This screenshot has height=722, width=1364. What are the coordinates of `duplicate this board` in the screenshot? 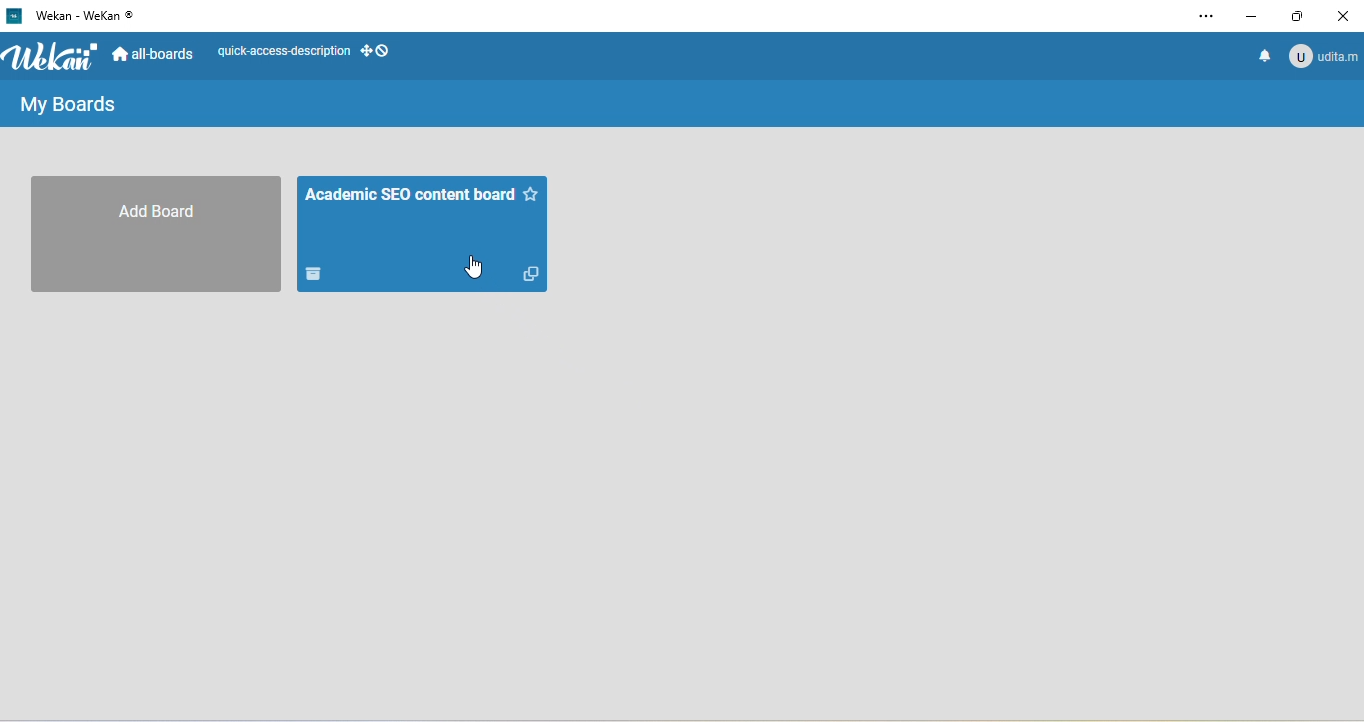 It's located at (531, 273).